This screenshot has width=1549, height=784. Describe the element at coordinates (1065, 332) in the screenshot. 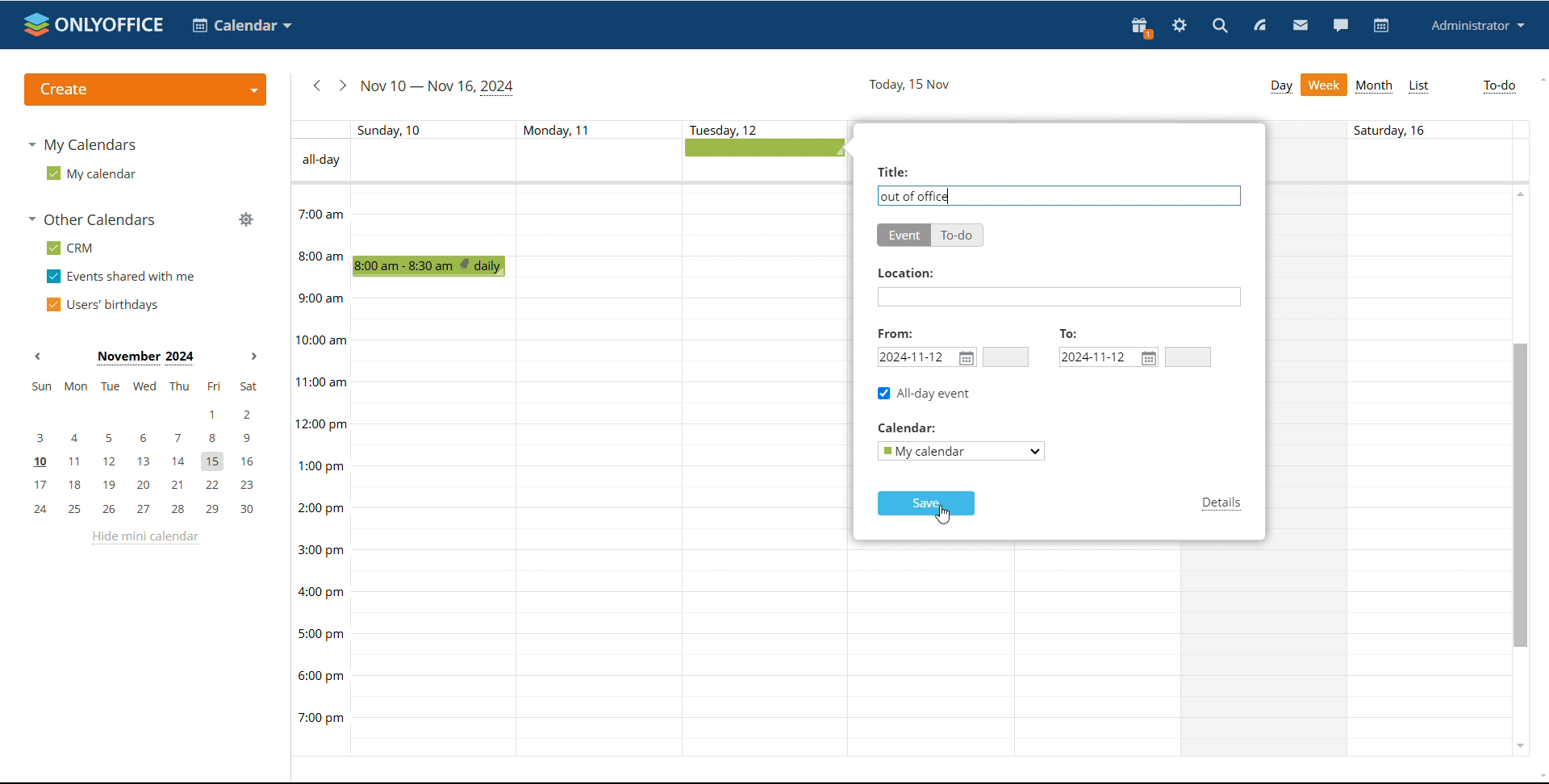

I see `To` at that location.